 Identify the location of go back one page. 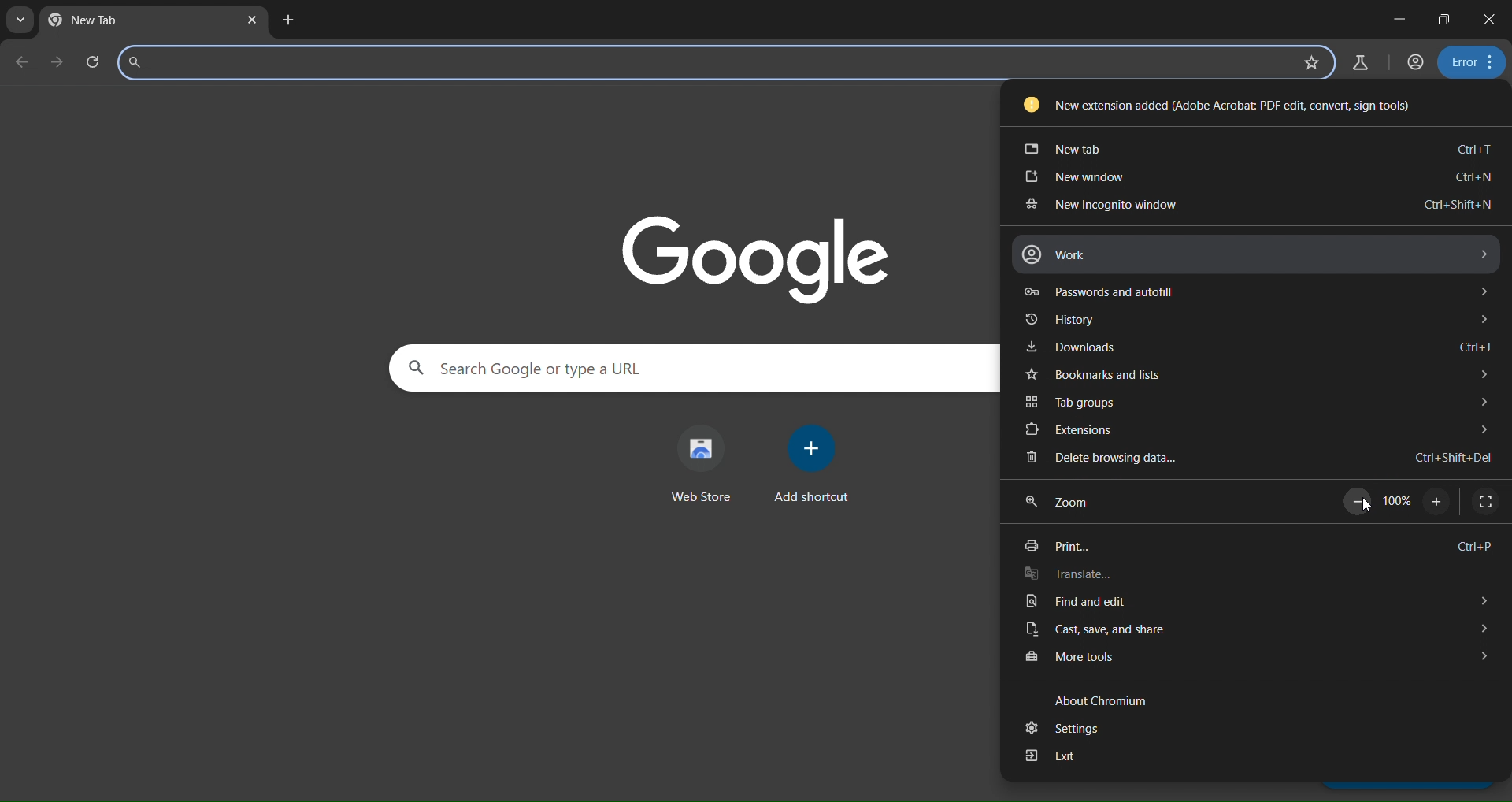
(23, 62).